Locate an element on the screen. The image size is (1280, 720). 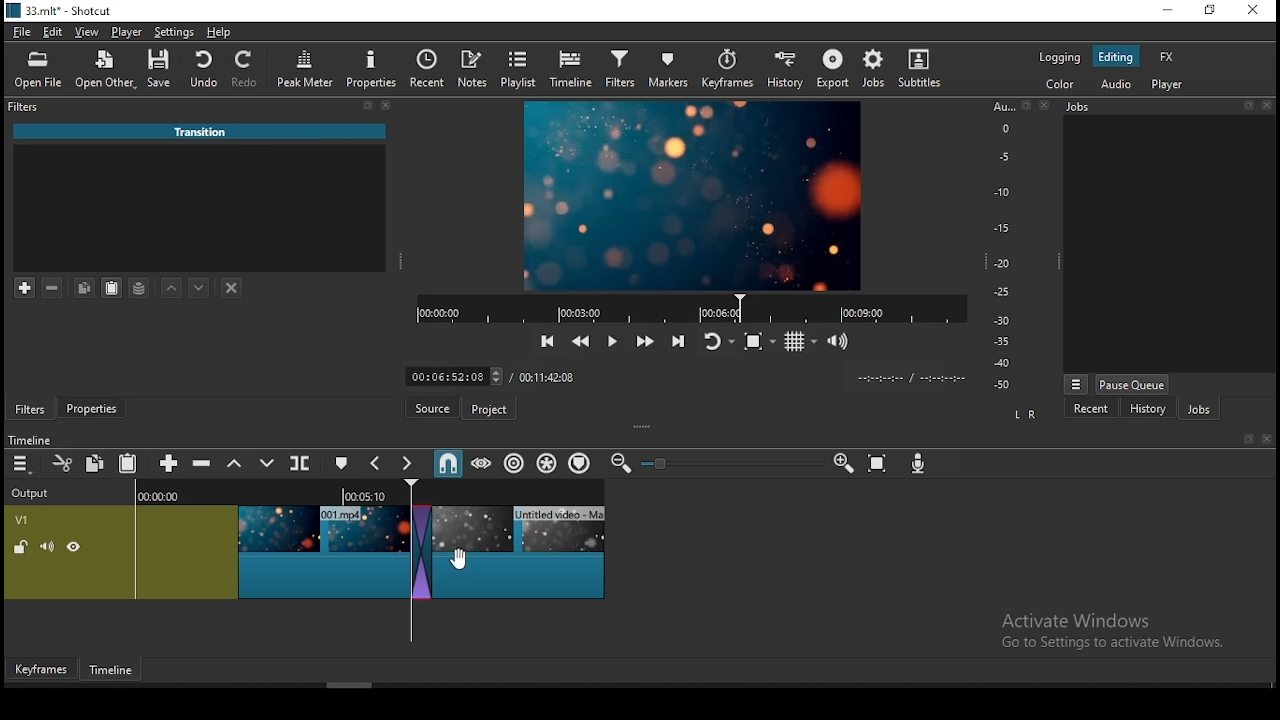
color is located at coordinates (1051, 86).